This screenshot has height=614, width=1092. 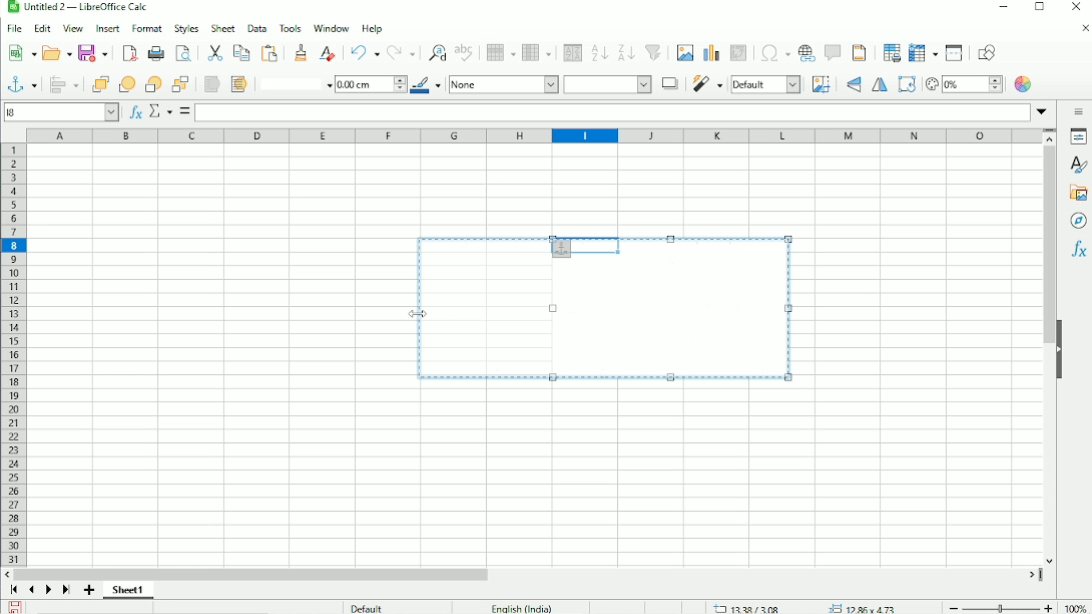 I want to click on Print, so click(x=154, y=54).